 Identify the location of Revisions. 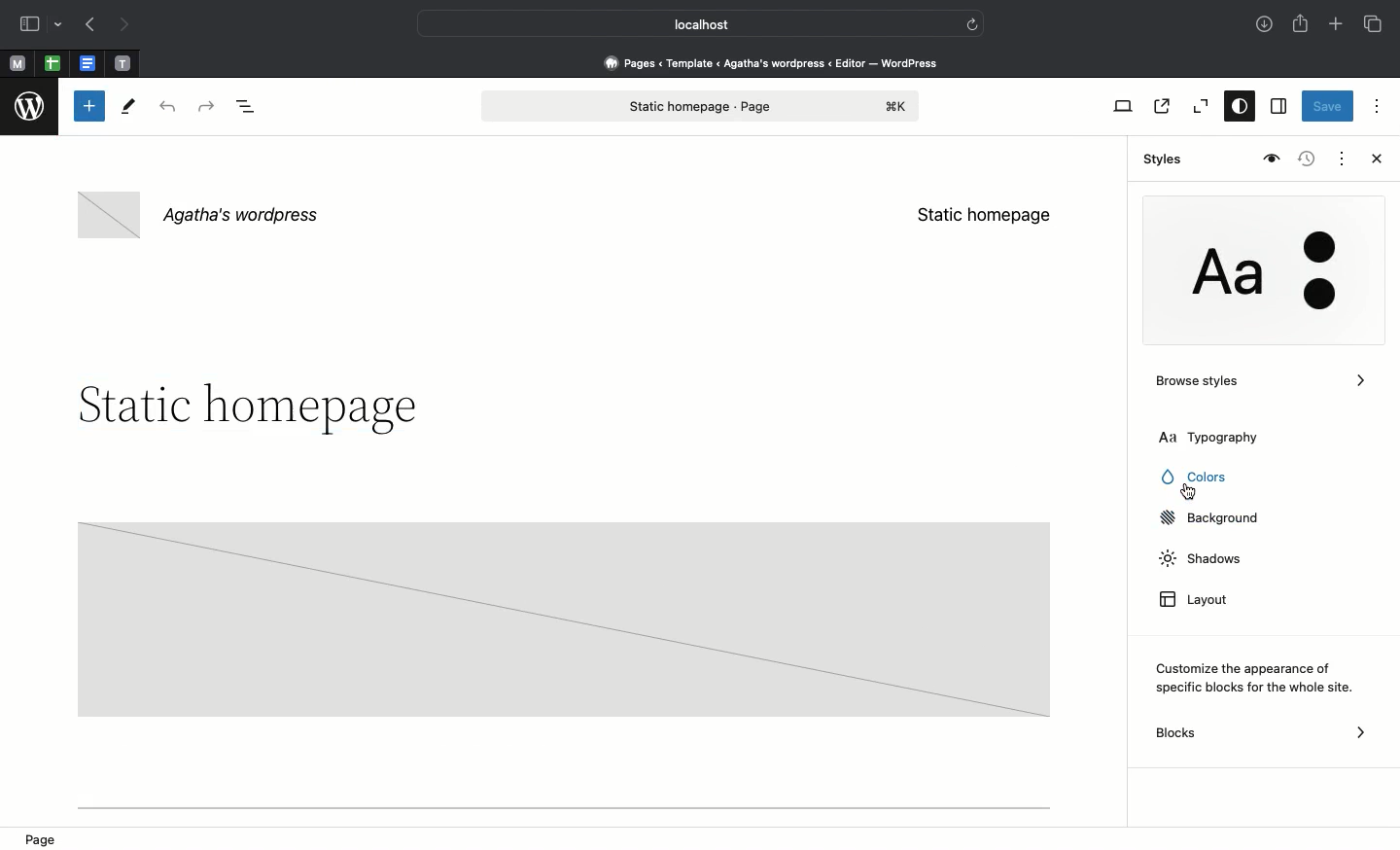
(1304, 160).